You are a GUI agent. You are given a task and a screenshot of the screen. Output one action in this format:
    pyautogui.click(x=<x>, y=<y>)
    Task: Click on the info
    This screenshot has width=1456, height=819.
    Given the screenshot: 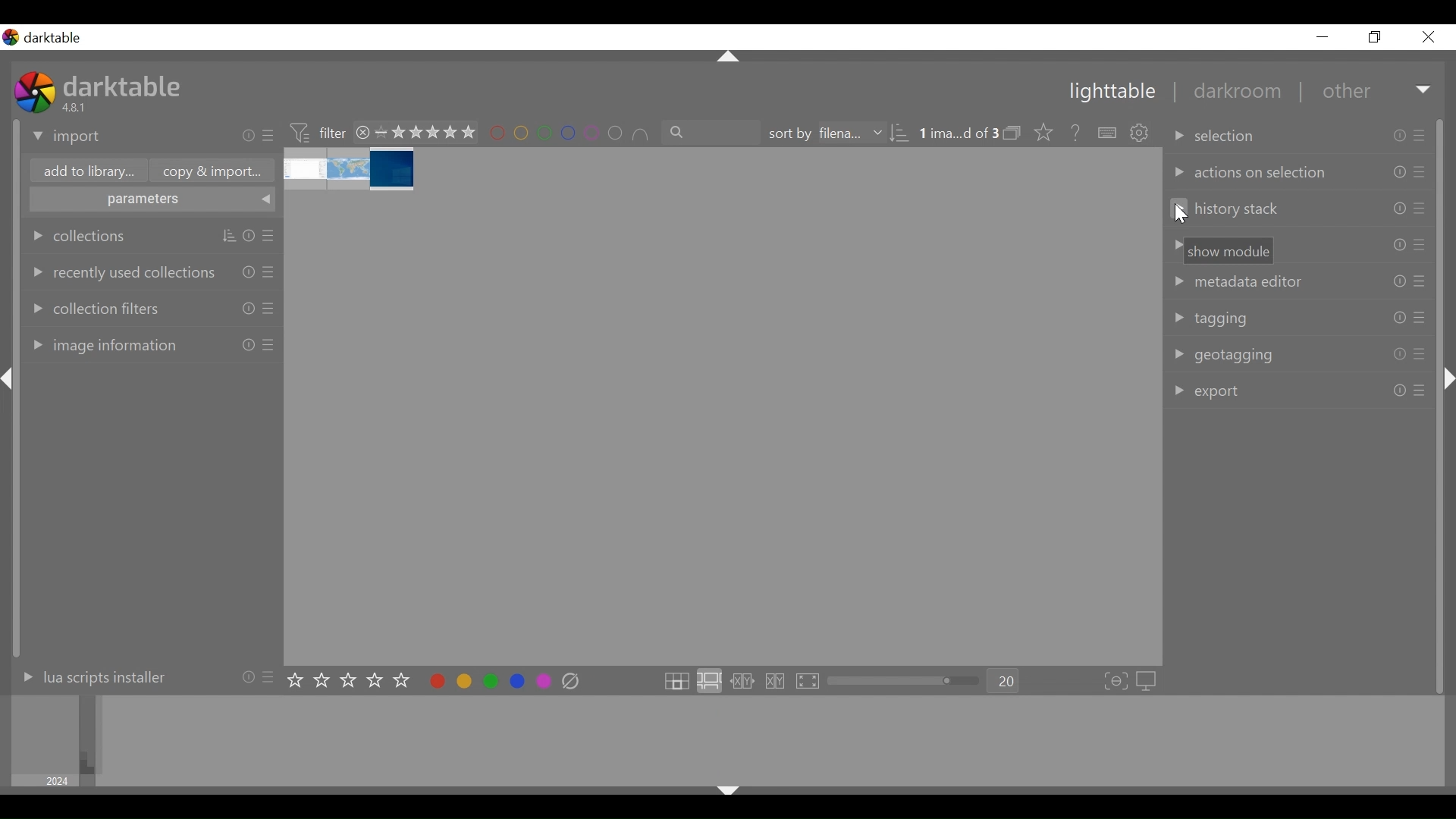 What is the action you would take?
    pyautogui.click(x=247, y=676)
    